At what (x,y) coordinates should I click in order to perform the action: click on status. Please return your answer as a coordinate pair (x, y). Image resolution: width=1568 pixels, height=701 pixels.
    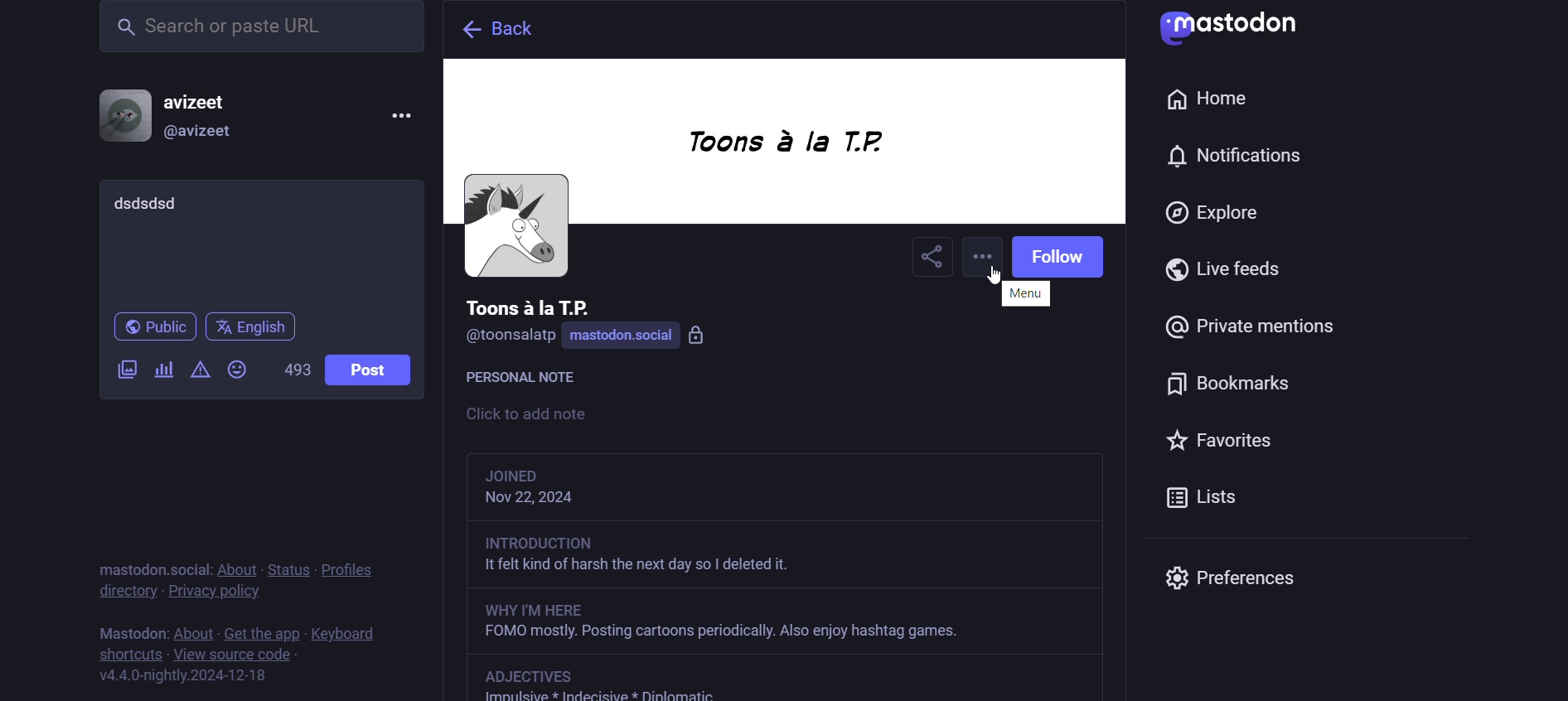
    Looking at the image, I should click on (288, 561).